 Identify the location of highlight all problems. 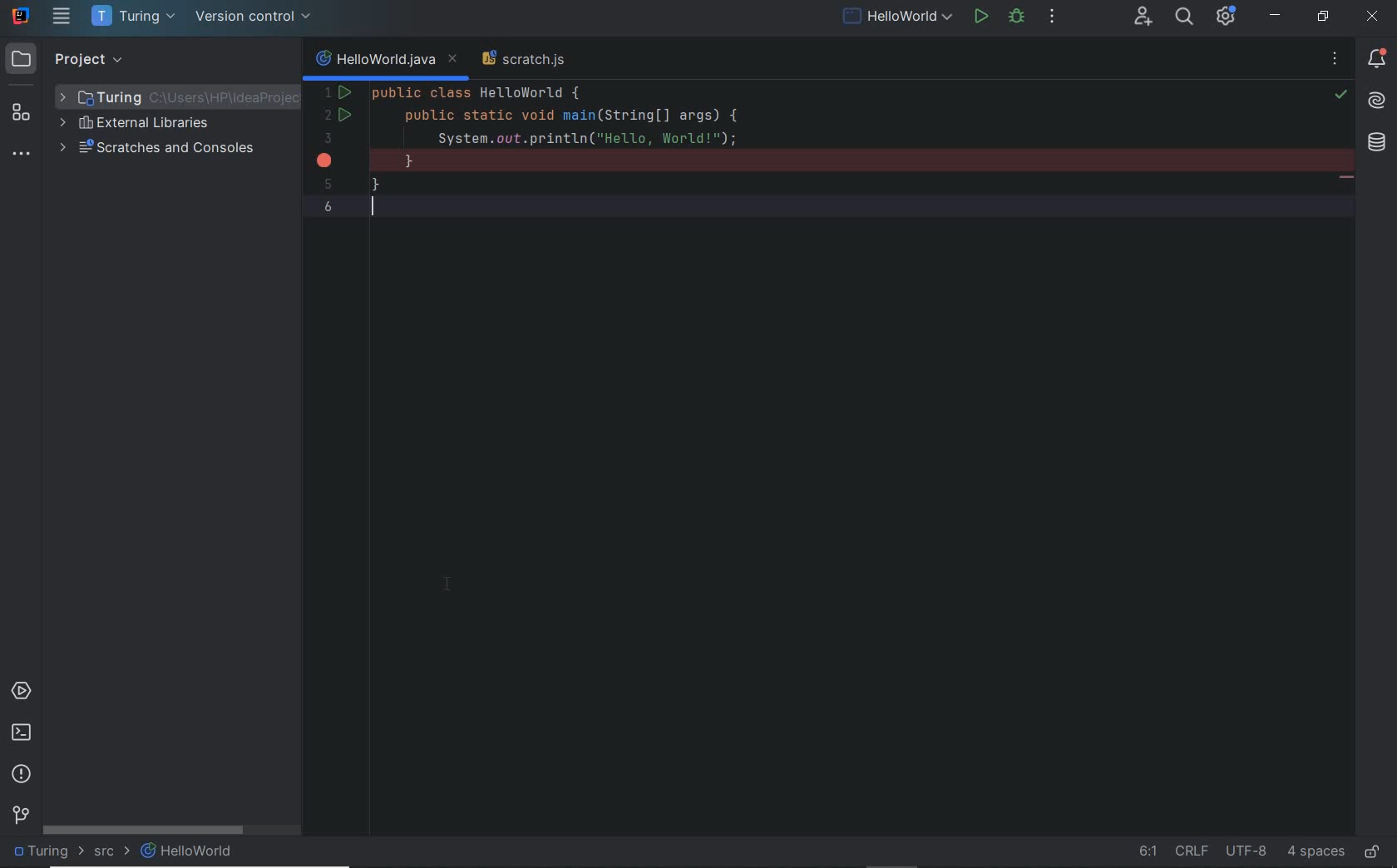
(1340, 94).